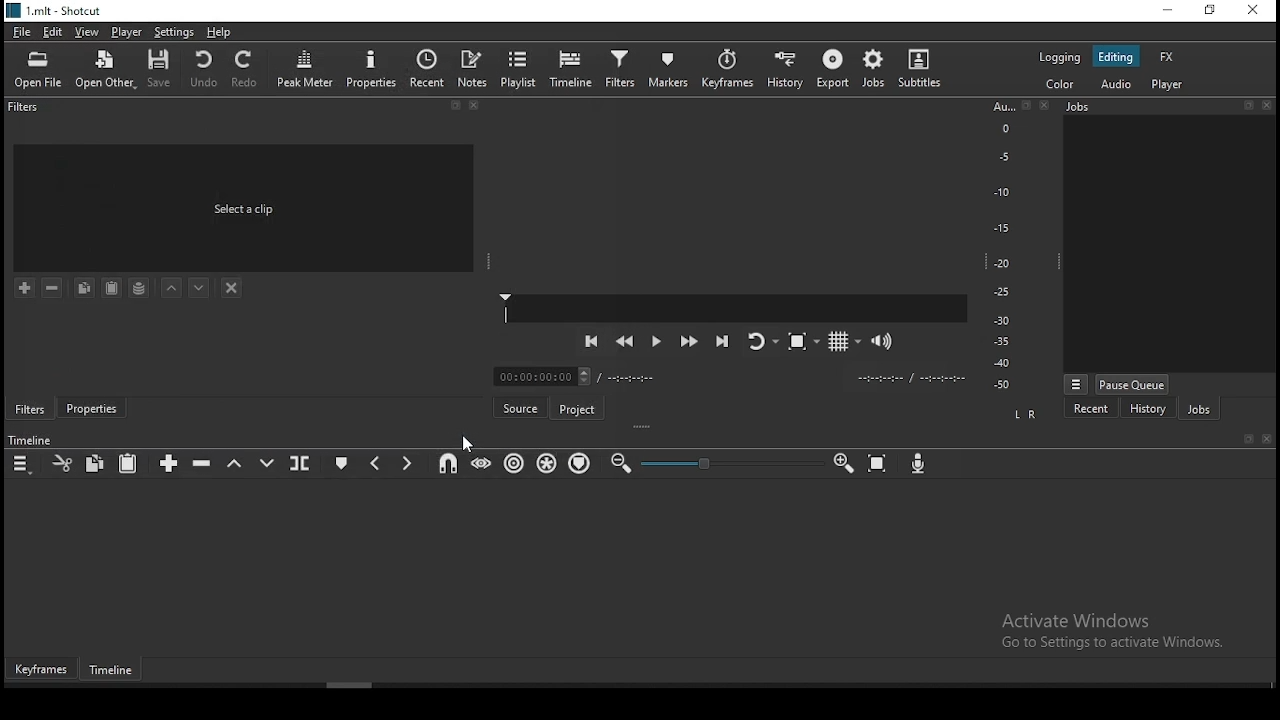 The width and height of the screenshot is (1280, 720). I want to click on save, so click(163, 68).